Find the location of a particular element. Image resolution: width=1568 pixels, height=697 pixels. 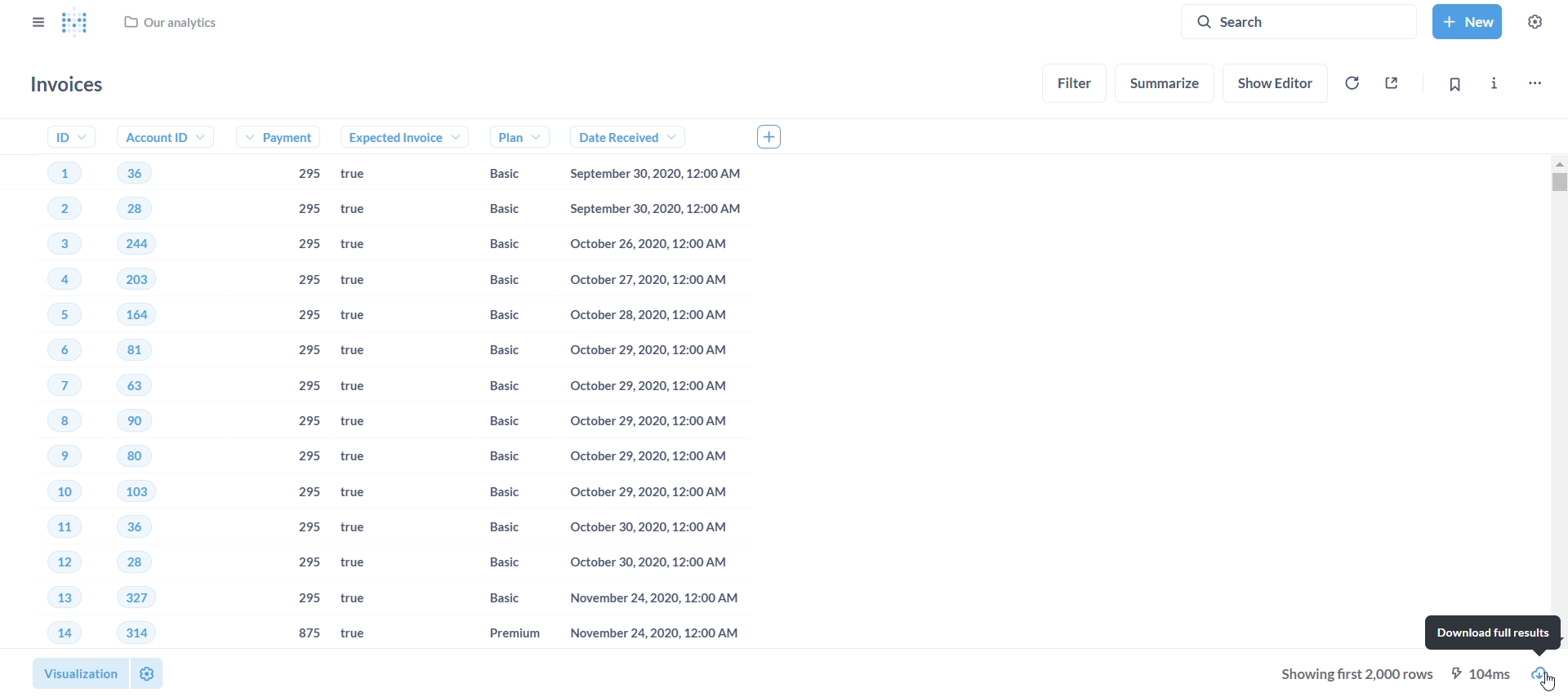

our analytics is located at coordinates (171, 26).